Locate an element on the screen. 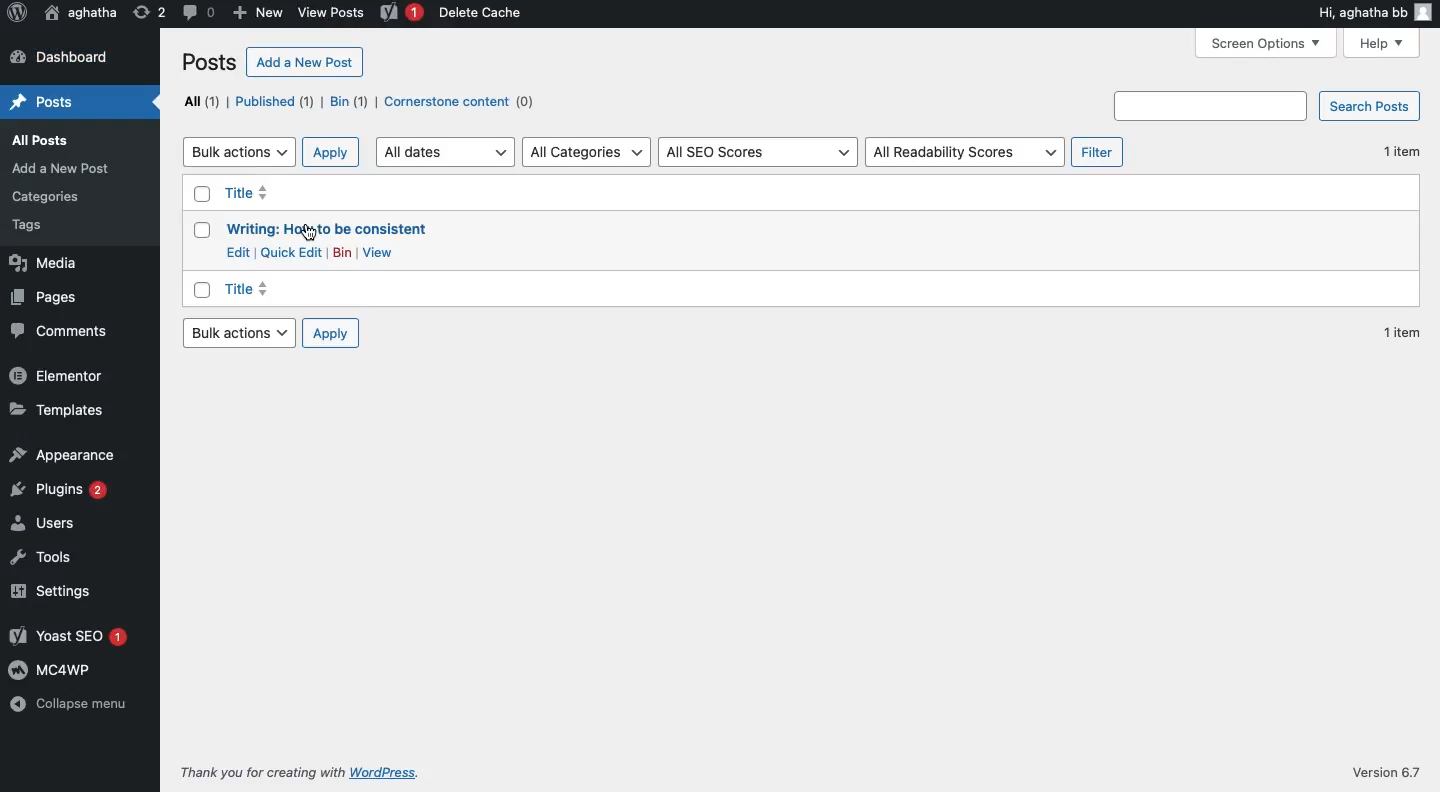  All SEO Scores is located at coordinates (755, 153).